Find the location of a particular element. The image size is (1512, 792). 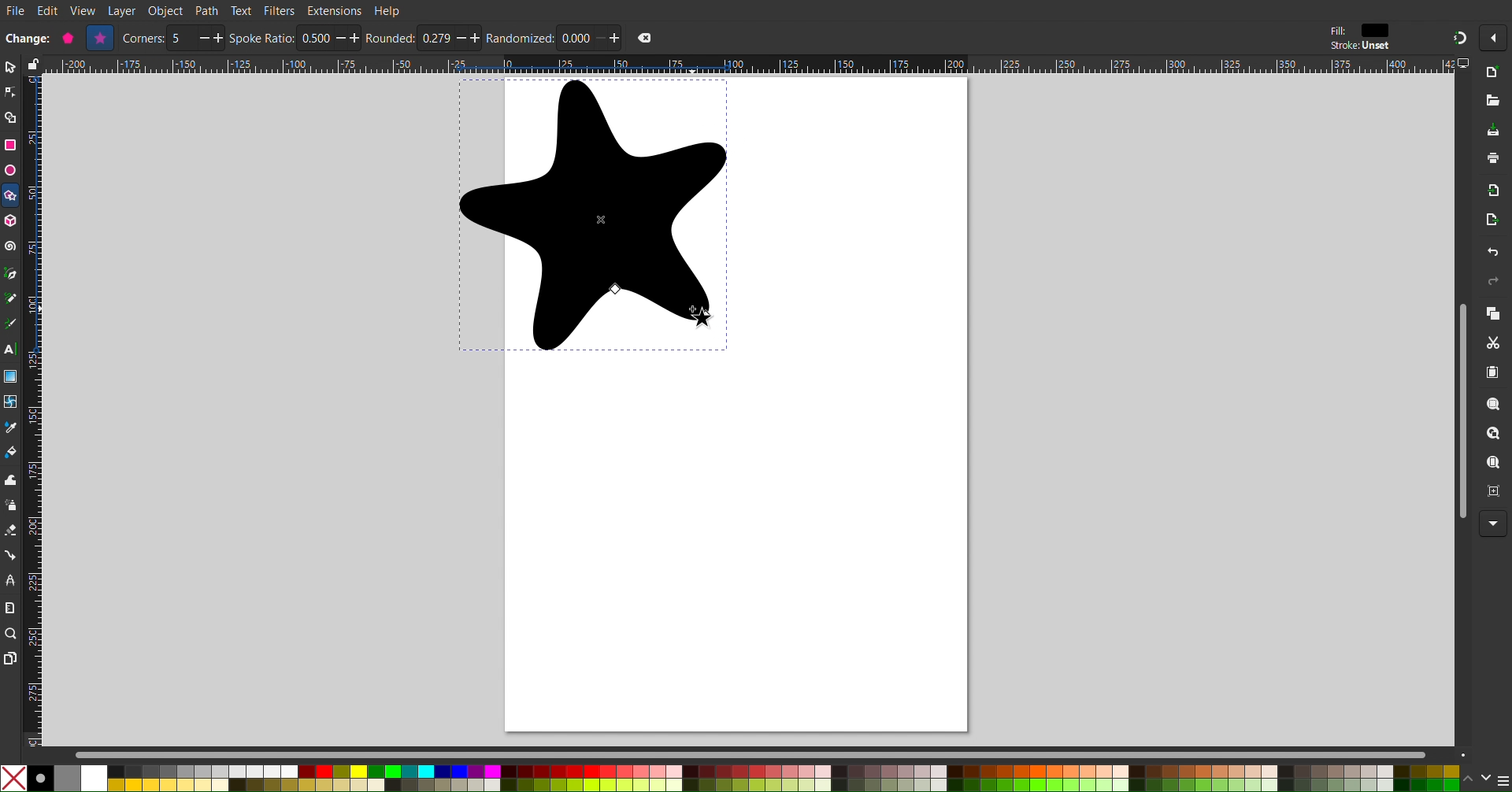

Polygon/Star is located at coordinates (11, 198).